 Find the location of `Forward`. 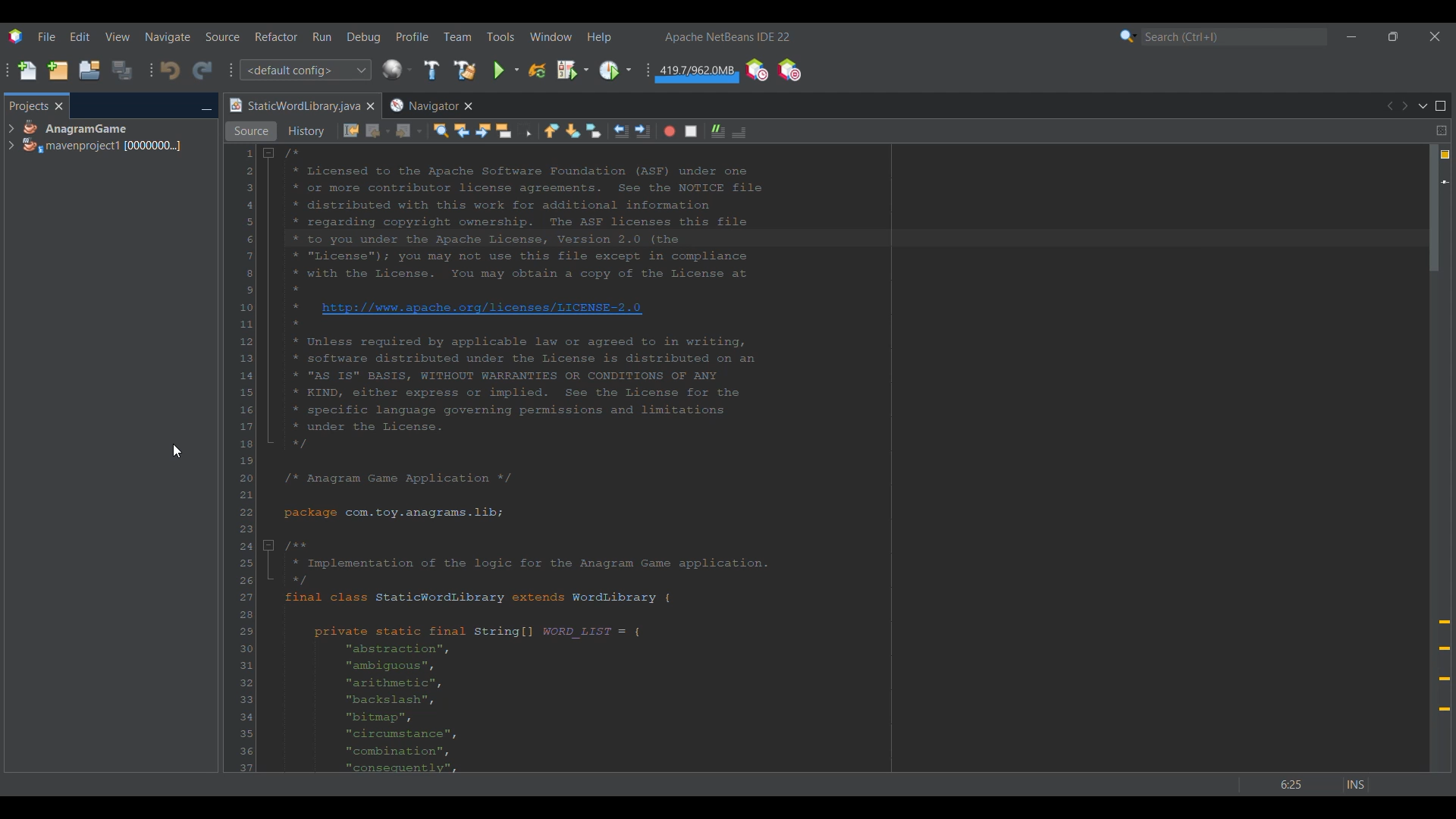

Forward is located at coordinates (409, 131).